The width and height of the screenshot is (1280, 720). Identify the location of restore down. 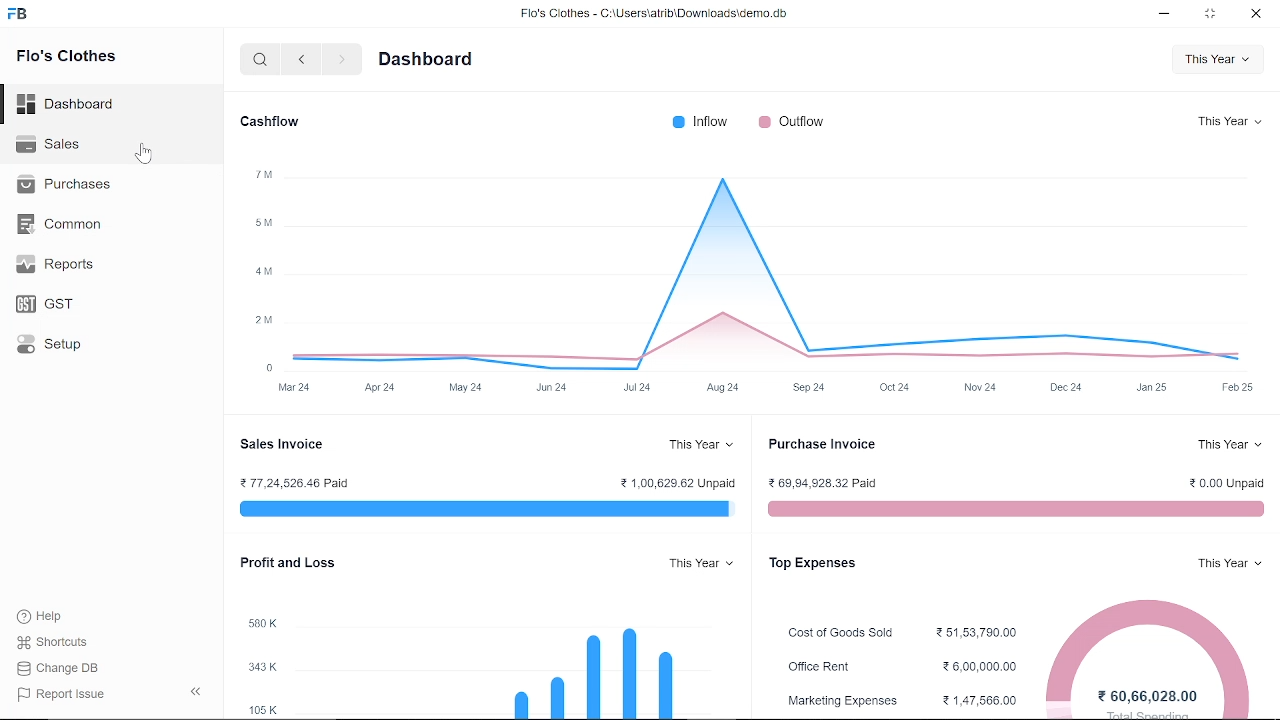
(1210, 16).